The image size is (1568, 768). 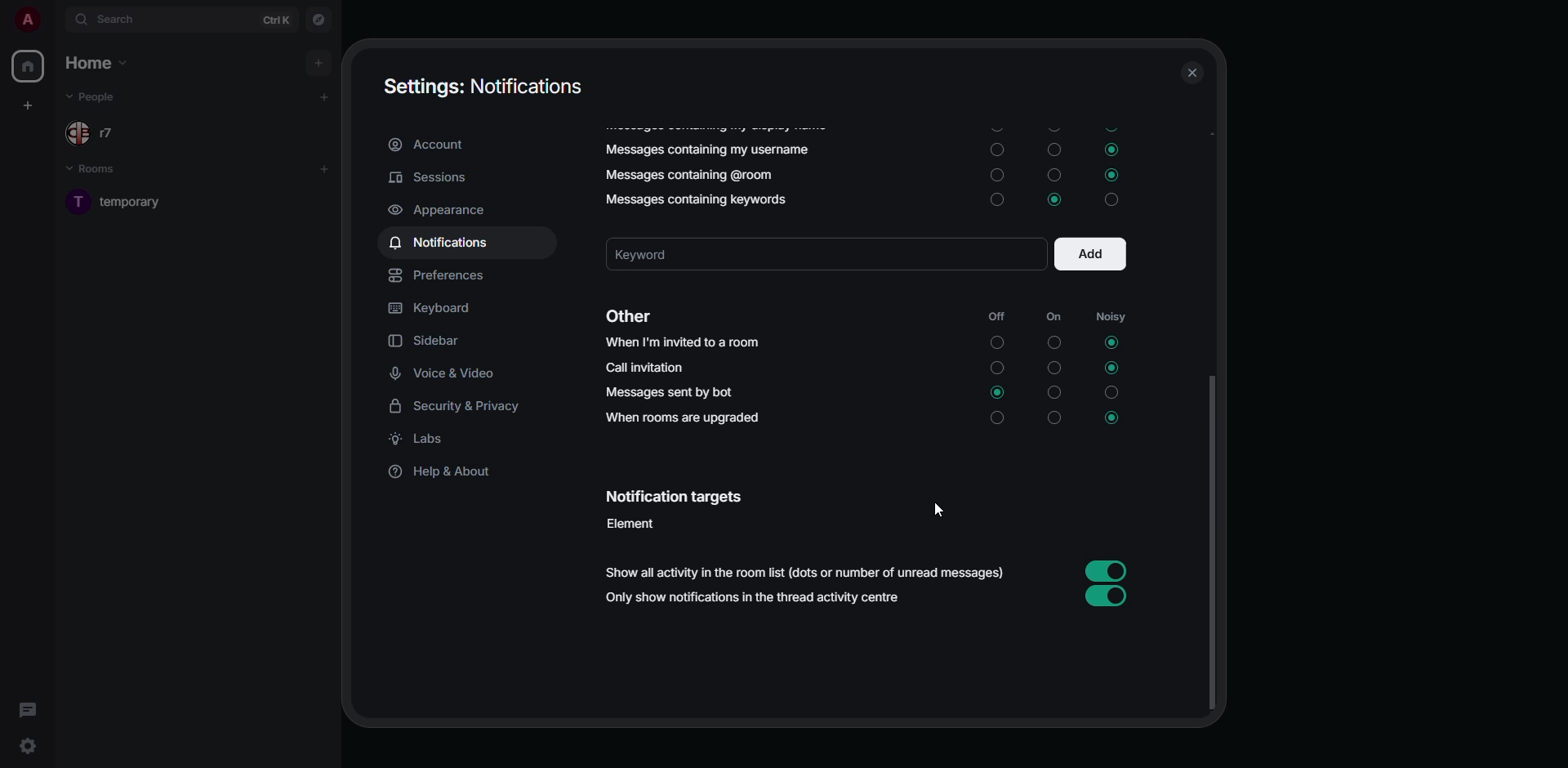 What do you see at coordinates (434, 309) in the screenshot?
I see `keyboard` at bounding box center [434, 309].